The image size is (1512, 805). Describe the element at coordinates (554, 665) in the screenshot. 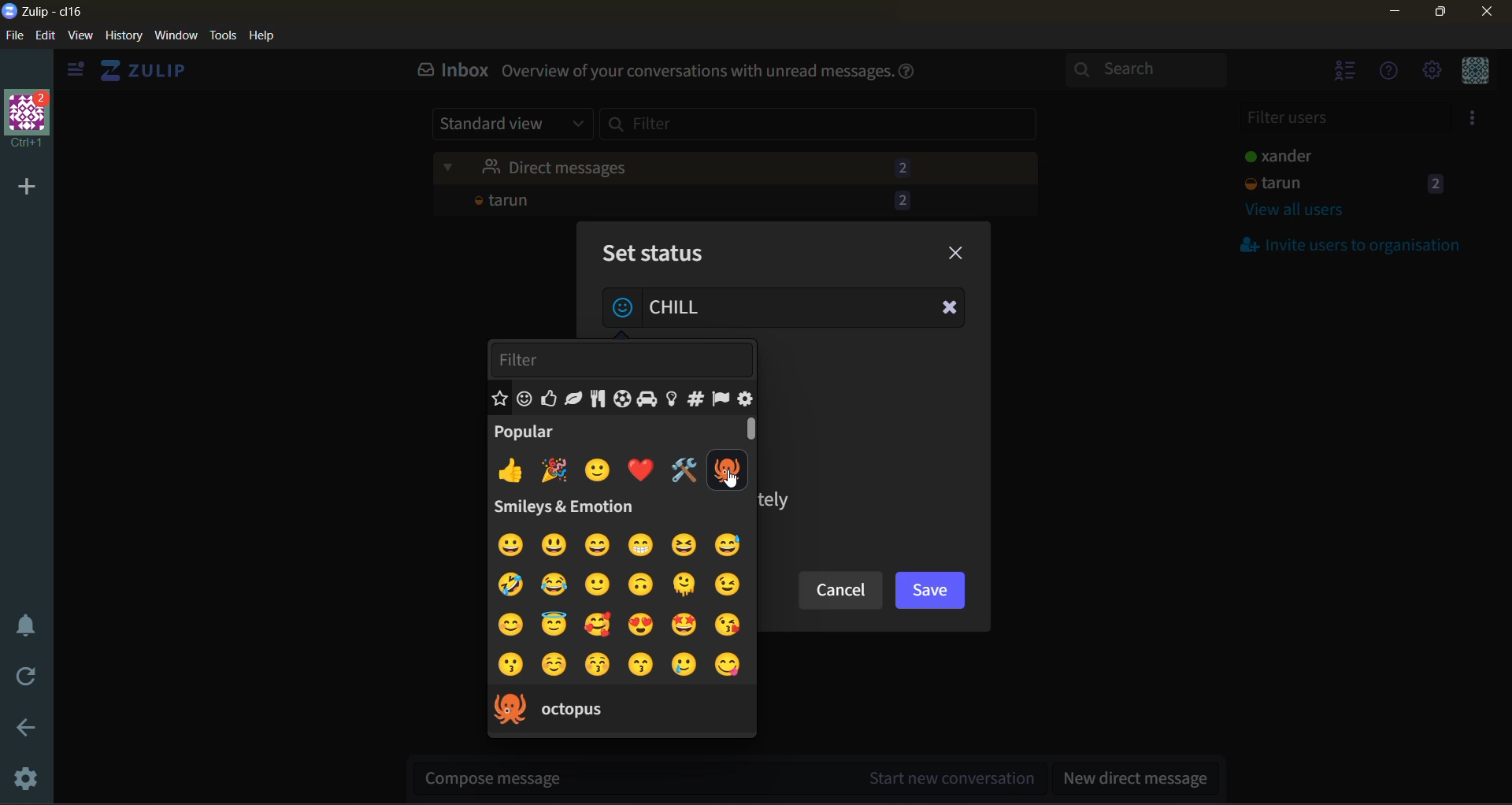

I see `emoji` at that location.